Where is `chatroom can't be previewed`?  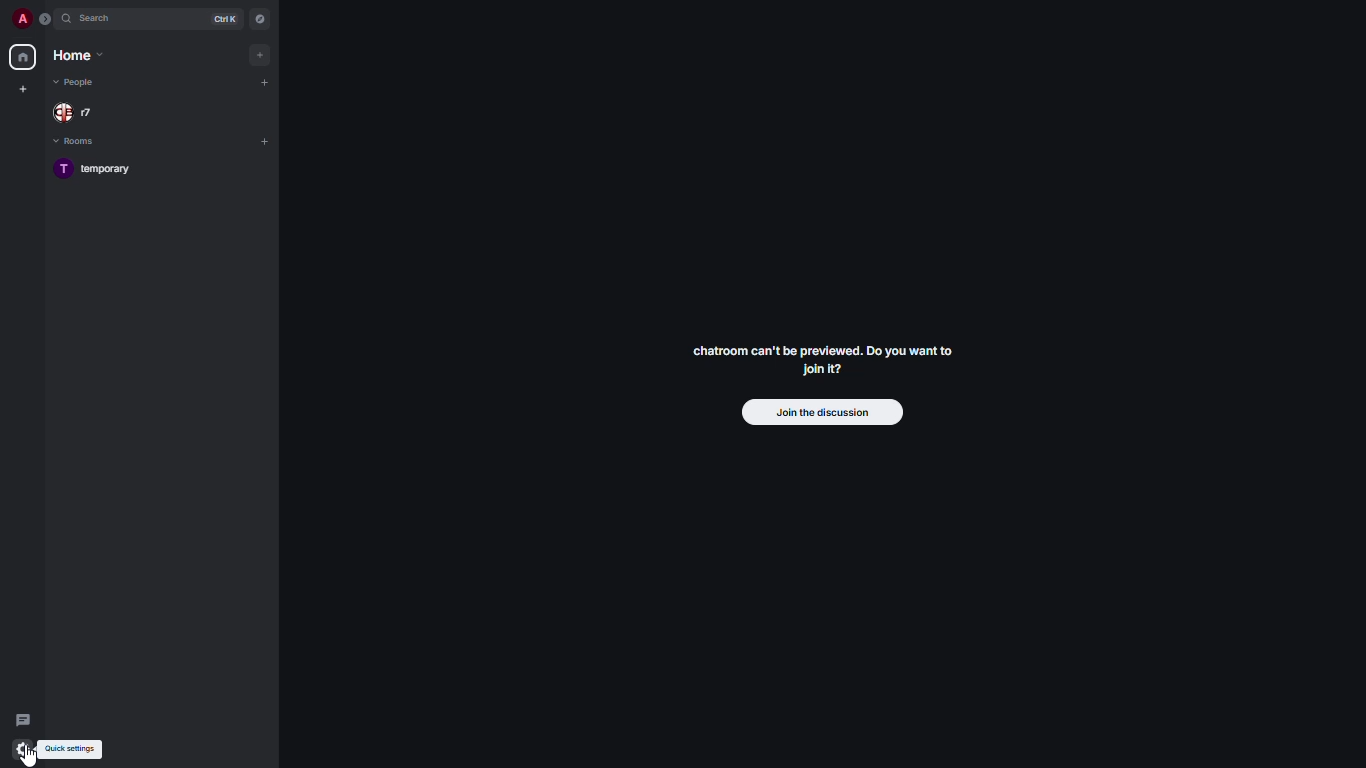 chatroom can't be previewed is located at coordinates (818, 362).